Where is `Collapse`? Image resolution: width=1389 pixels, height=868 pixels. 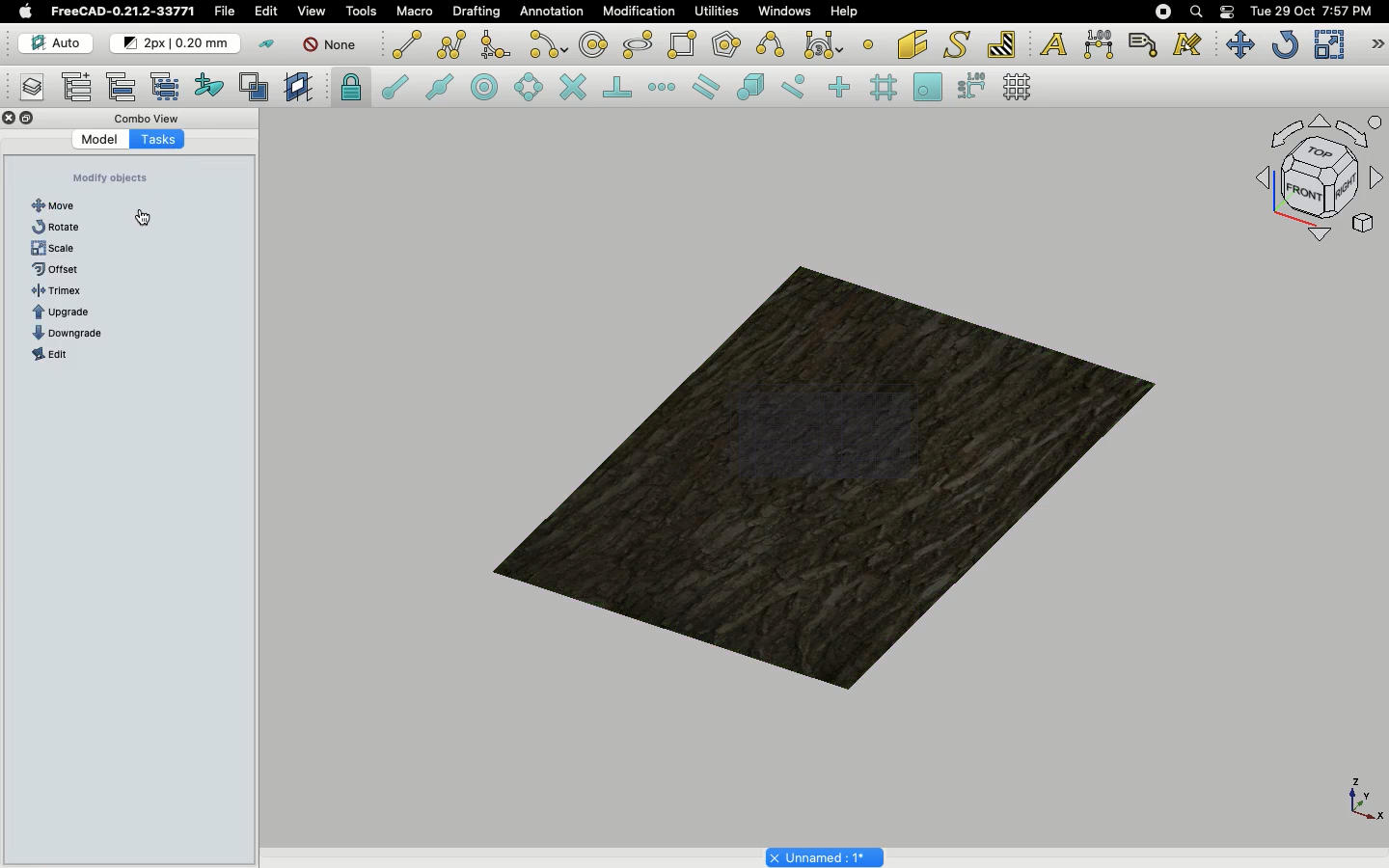 Collapse is located at coordinates (28, 119).